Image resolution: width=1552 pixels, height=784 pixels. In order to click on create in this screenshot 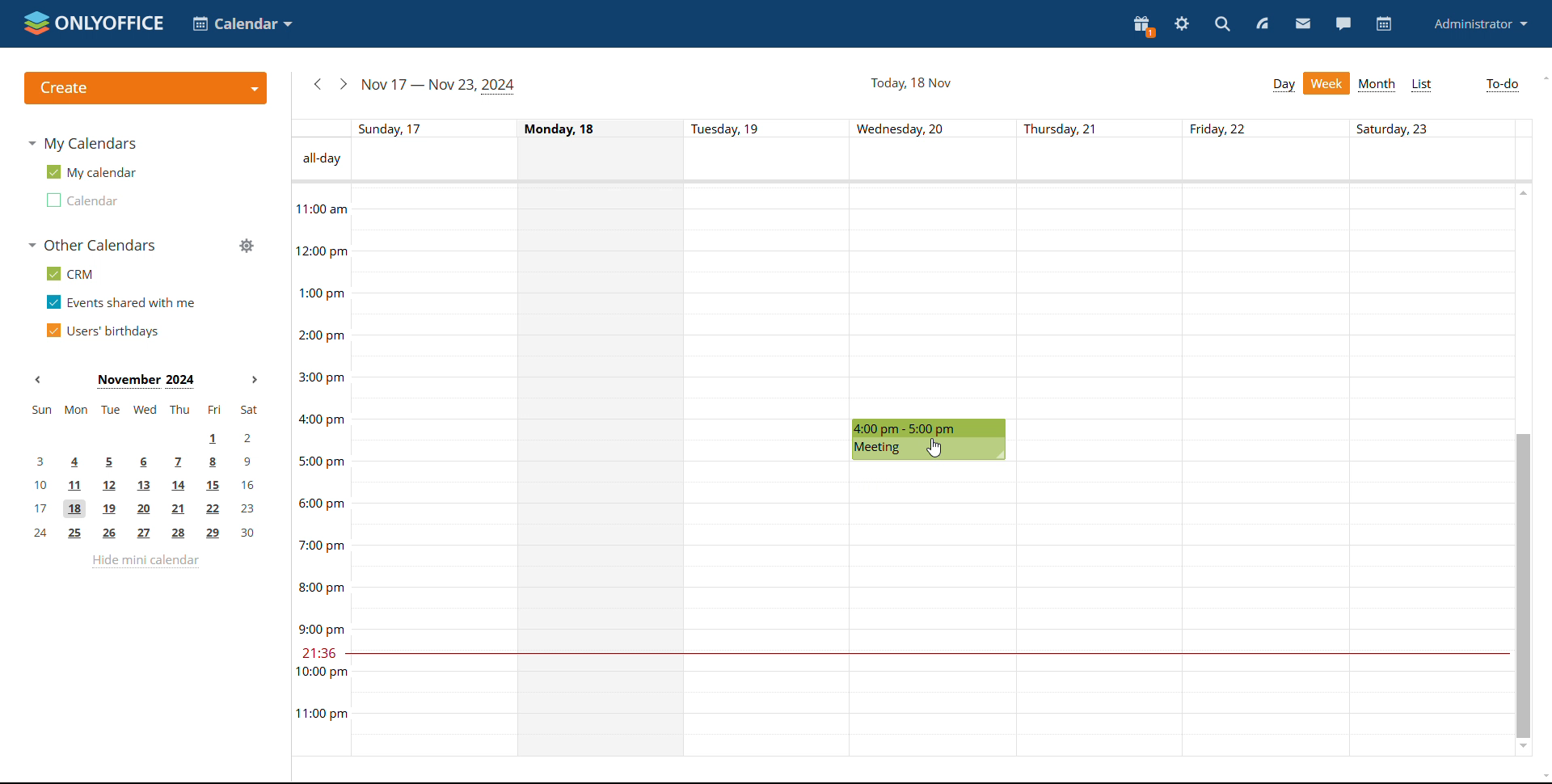, I will do `click(145, 88)`.